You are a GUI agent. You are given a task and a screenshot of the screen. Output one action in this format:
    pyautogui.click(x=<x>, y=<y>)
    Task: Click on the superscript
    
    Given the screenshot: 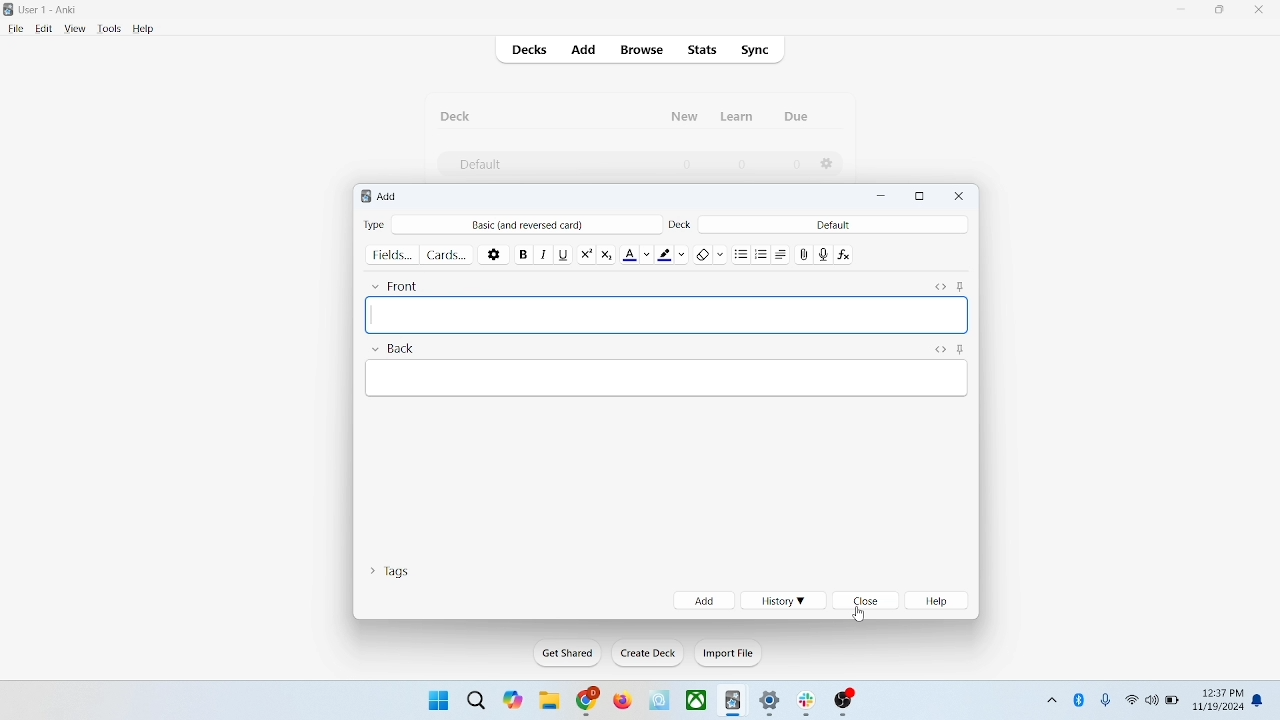 What is the action you would take?
    pyautogui.click(x=586, y=252)
    